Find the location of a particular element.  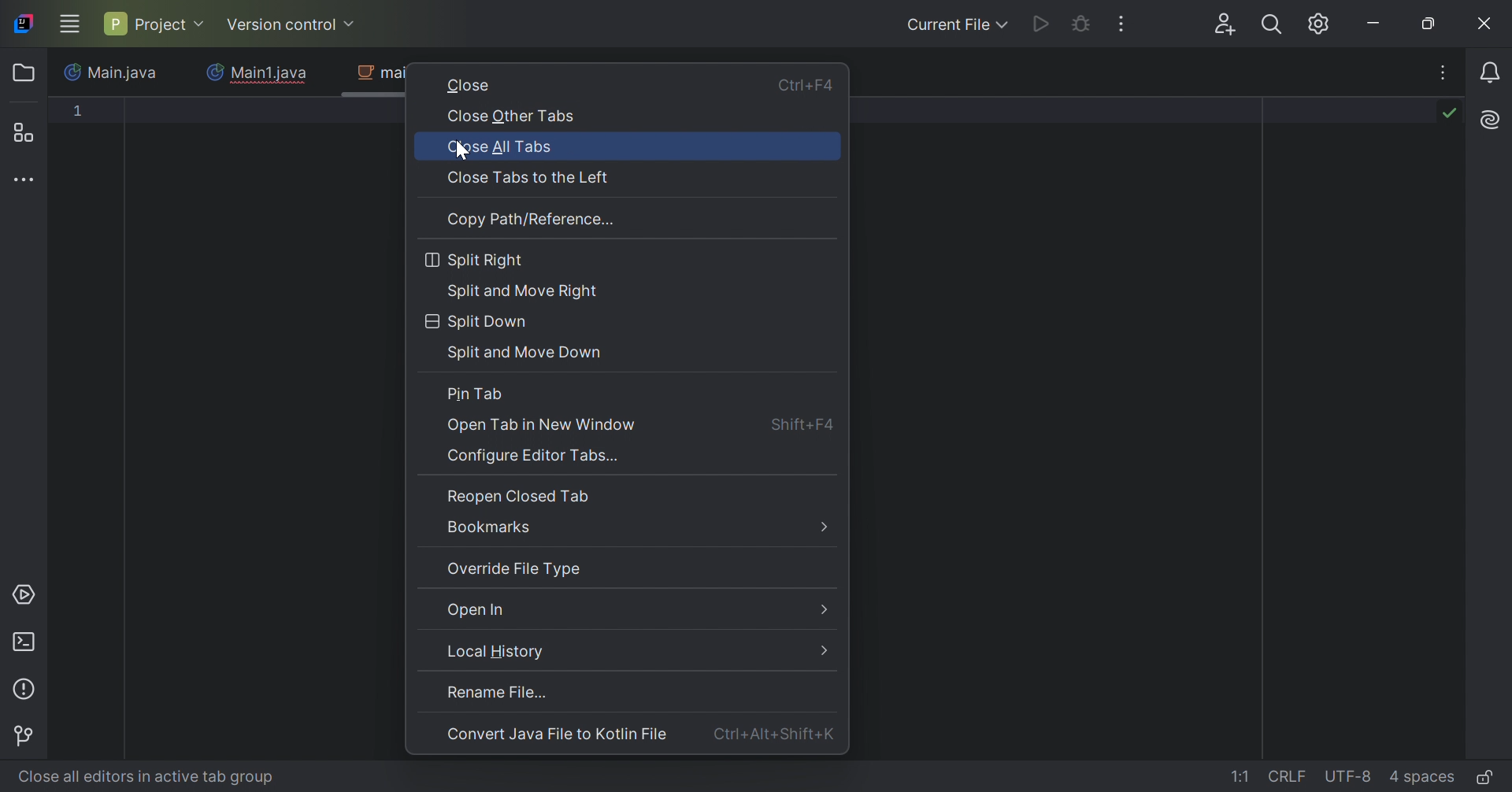

Structure is located at coordinates (23, 131).